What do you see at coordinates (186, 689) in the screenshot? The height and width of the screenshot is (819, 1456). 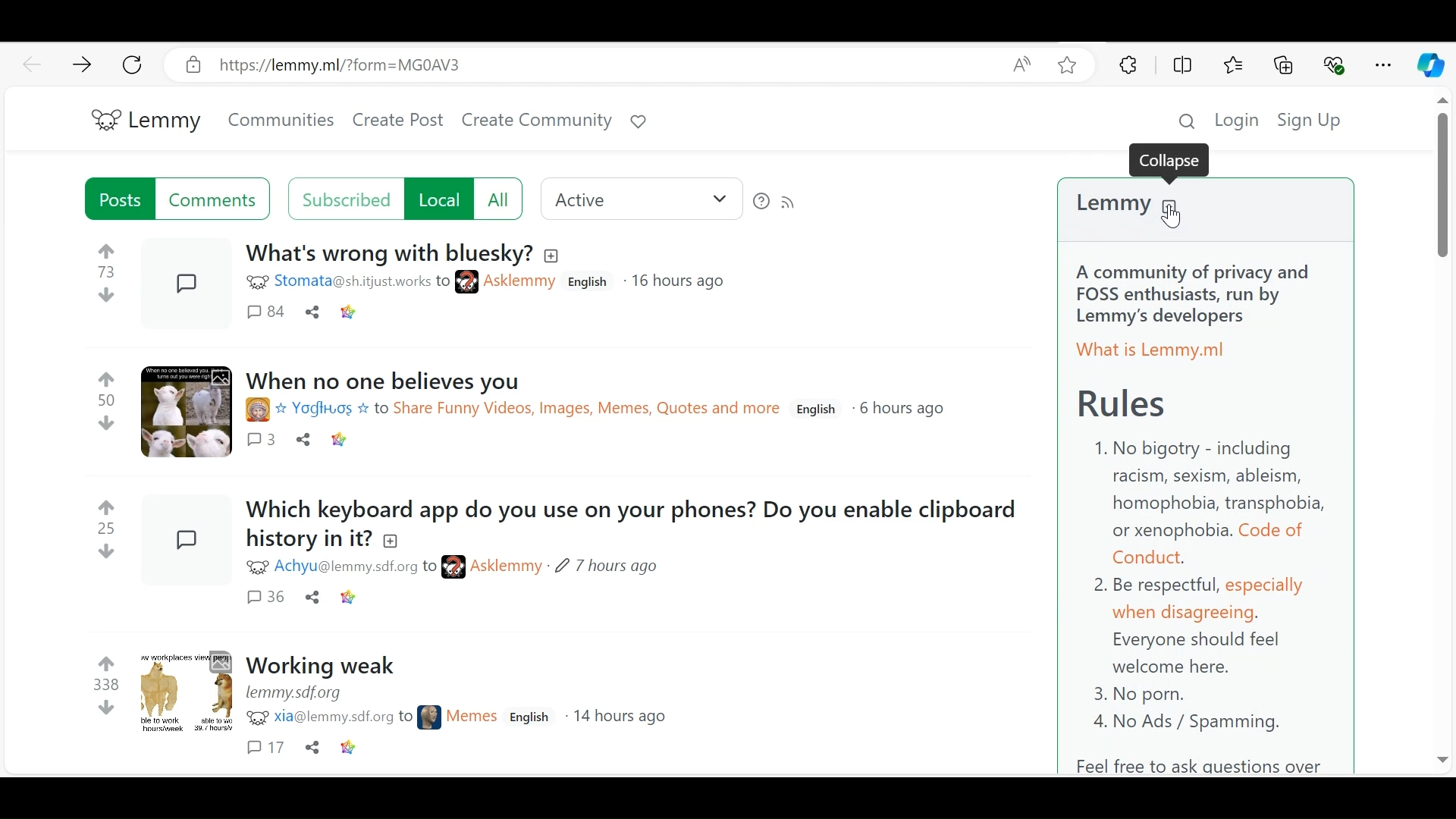 I see `Posts` at bounding box center [186, 689].